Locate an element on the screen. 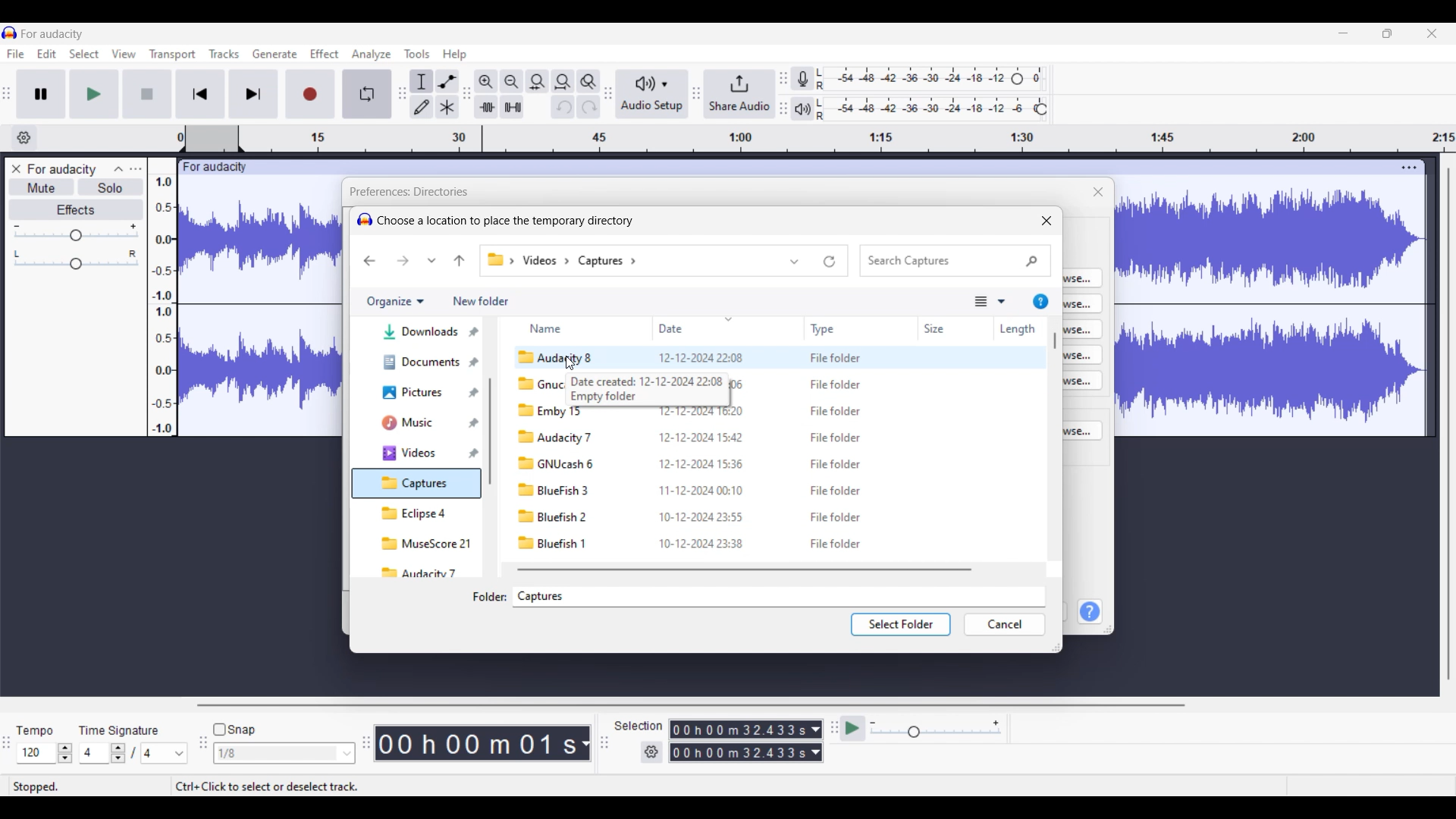 This screenshot has width=1456, height=819. Help is located at coordinates (1090, 611).